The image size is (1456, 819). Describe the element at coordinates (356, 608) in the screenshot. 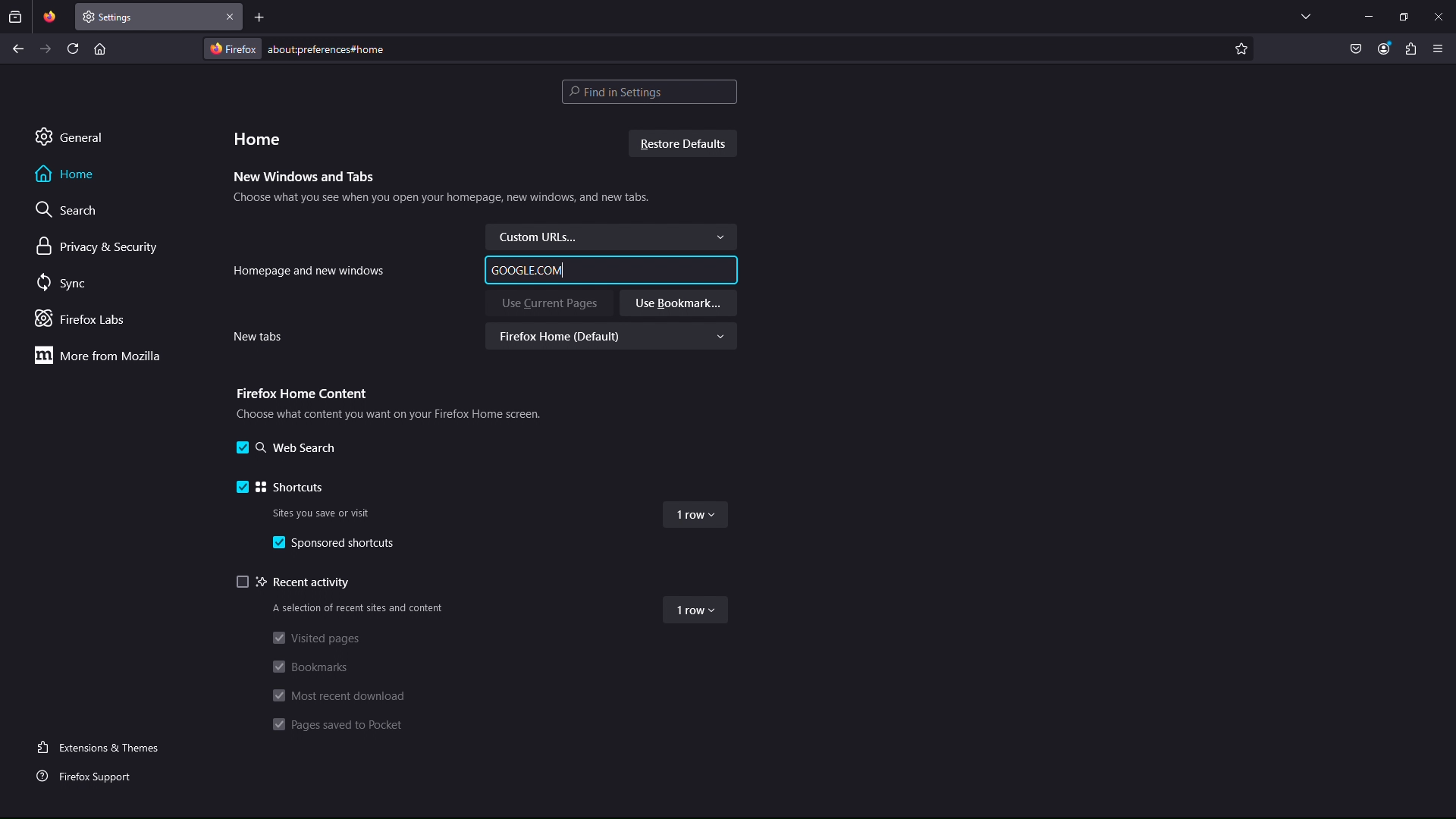

I see `A selection of recent sites and content` at that location.